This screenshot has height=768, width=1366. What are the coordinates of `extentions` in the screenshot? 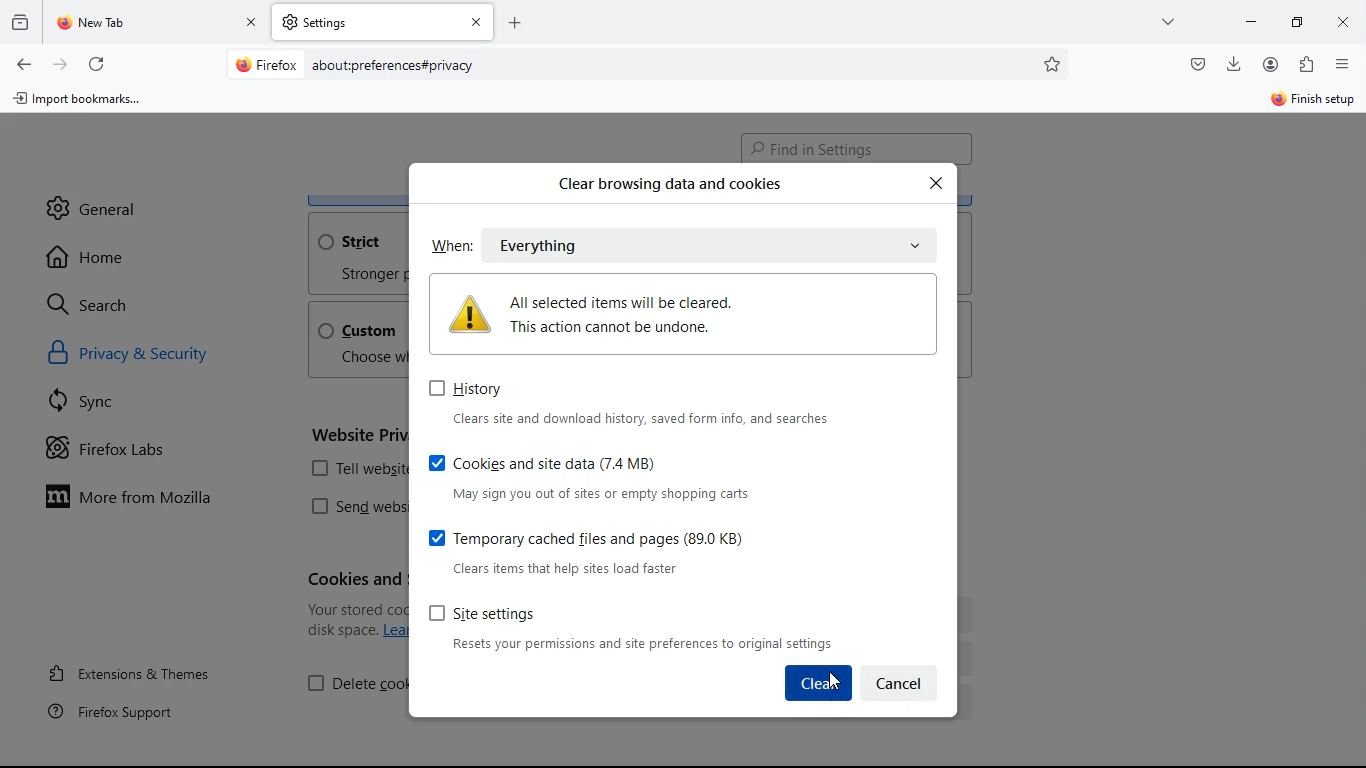 It's located at (1306, 66).